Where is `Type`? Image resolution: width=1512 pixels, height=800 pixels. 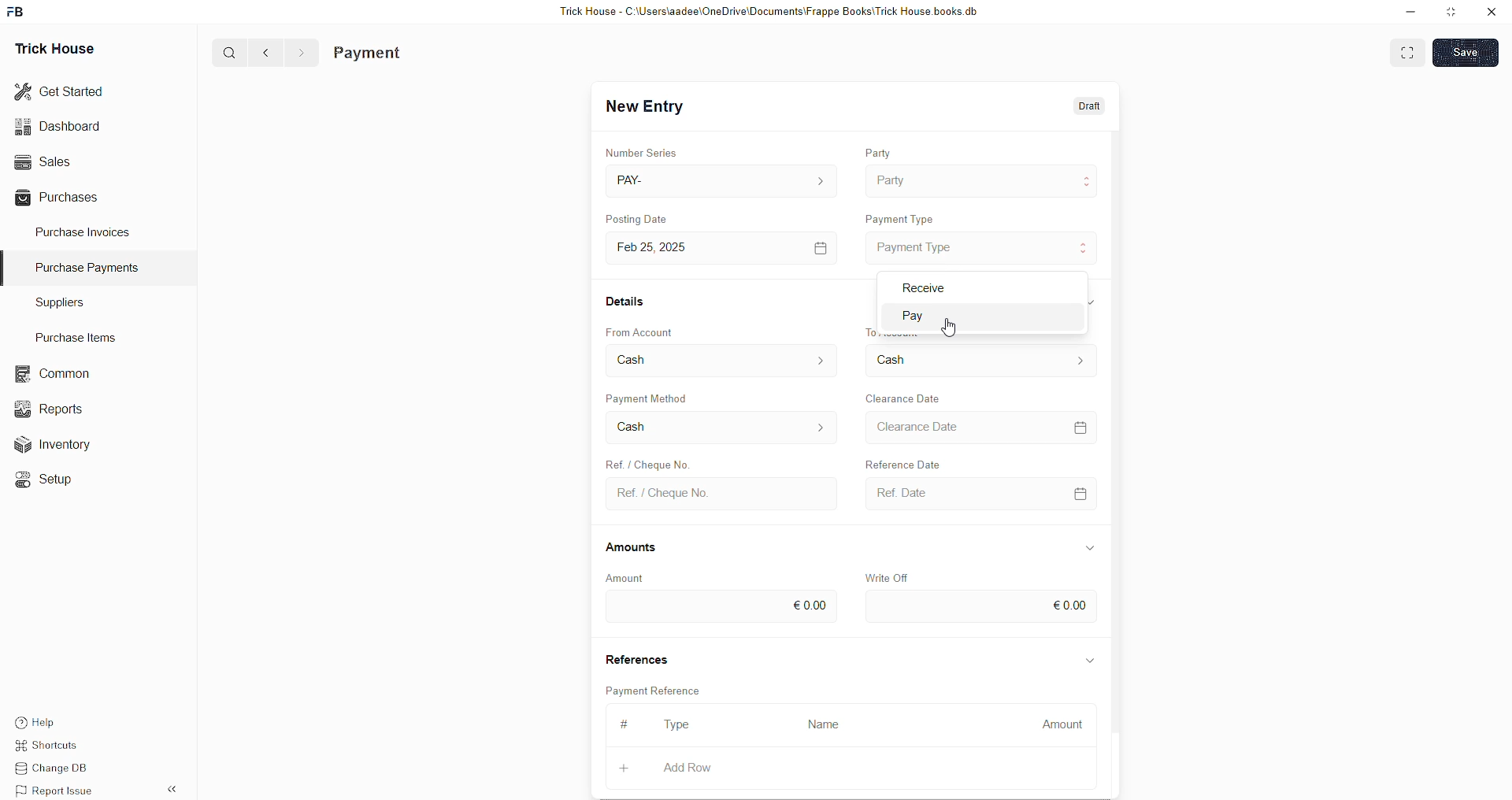 Type is located at coordinates (683, 726).